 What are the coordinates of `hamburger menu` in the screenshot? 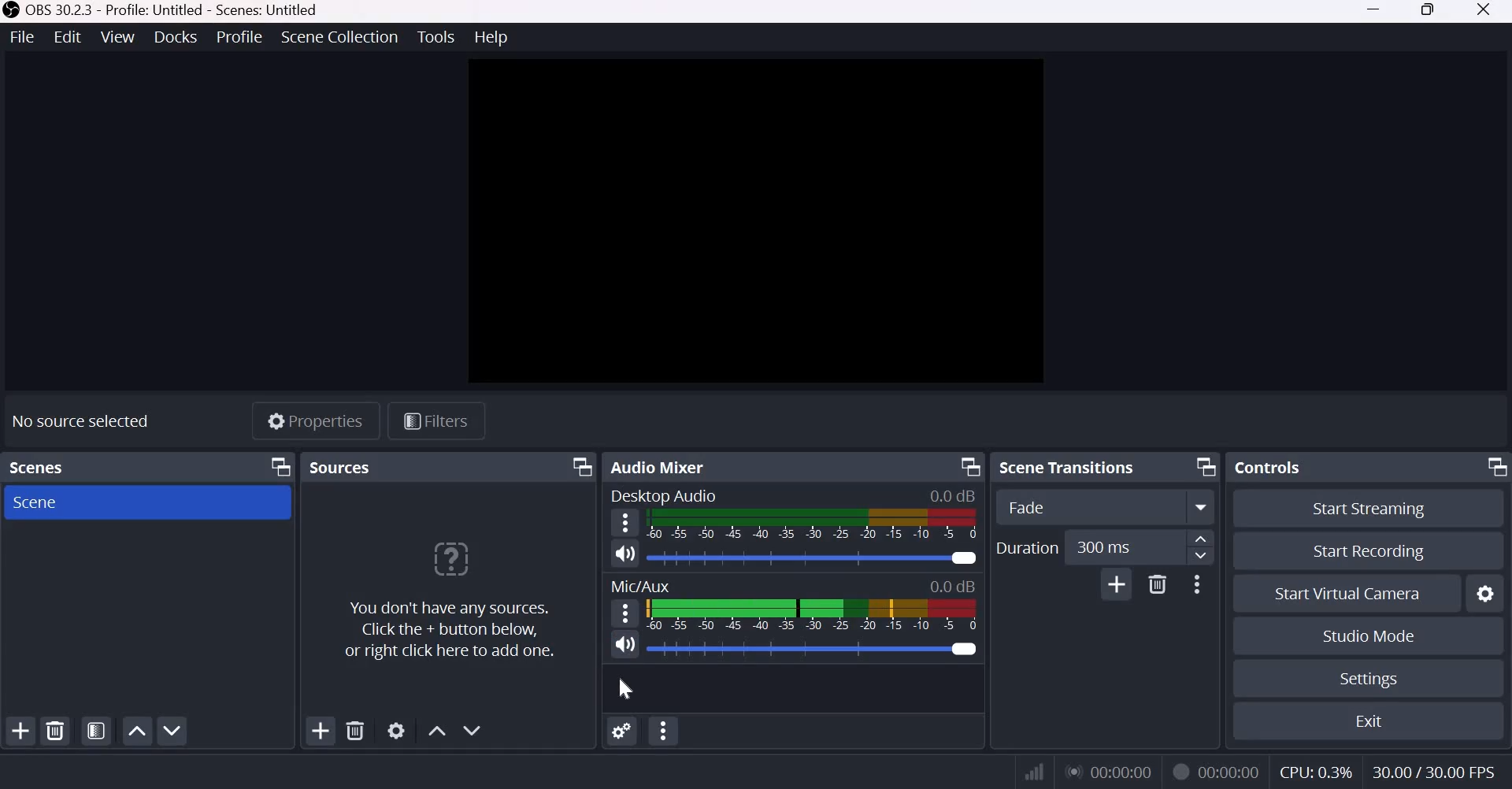 It's located at (624, 613).